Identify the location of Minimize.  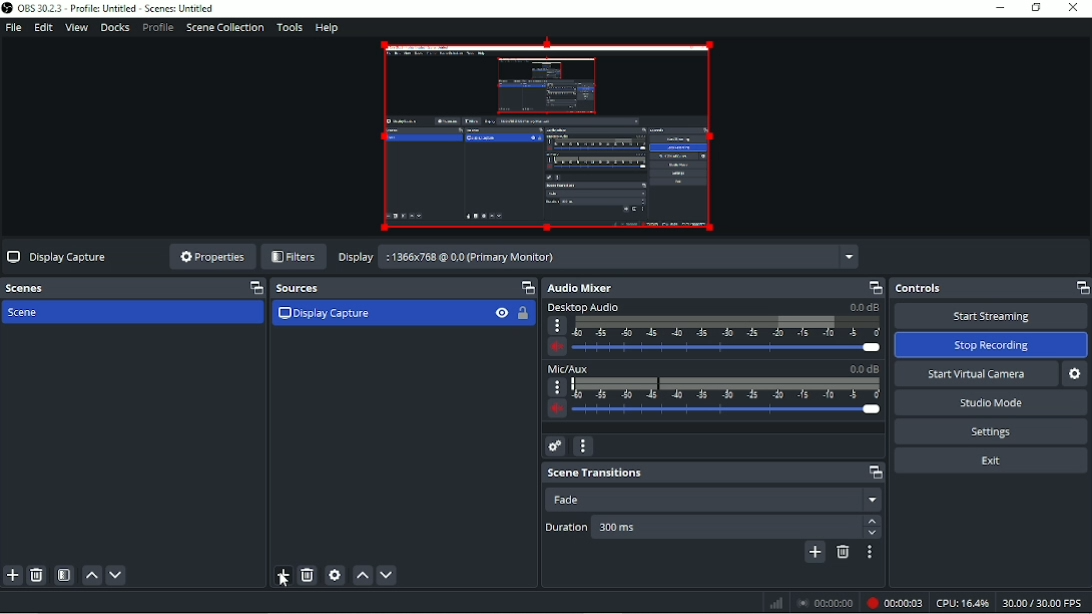
(998, 8).